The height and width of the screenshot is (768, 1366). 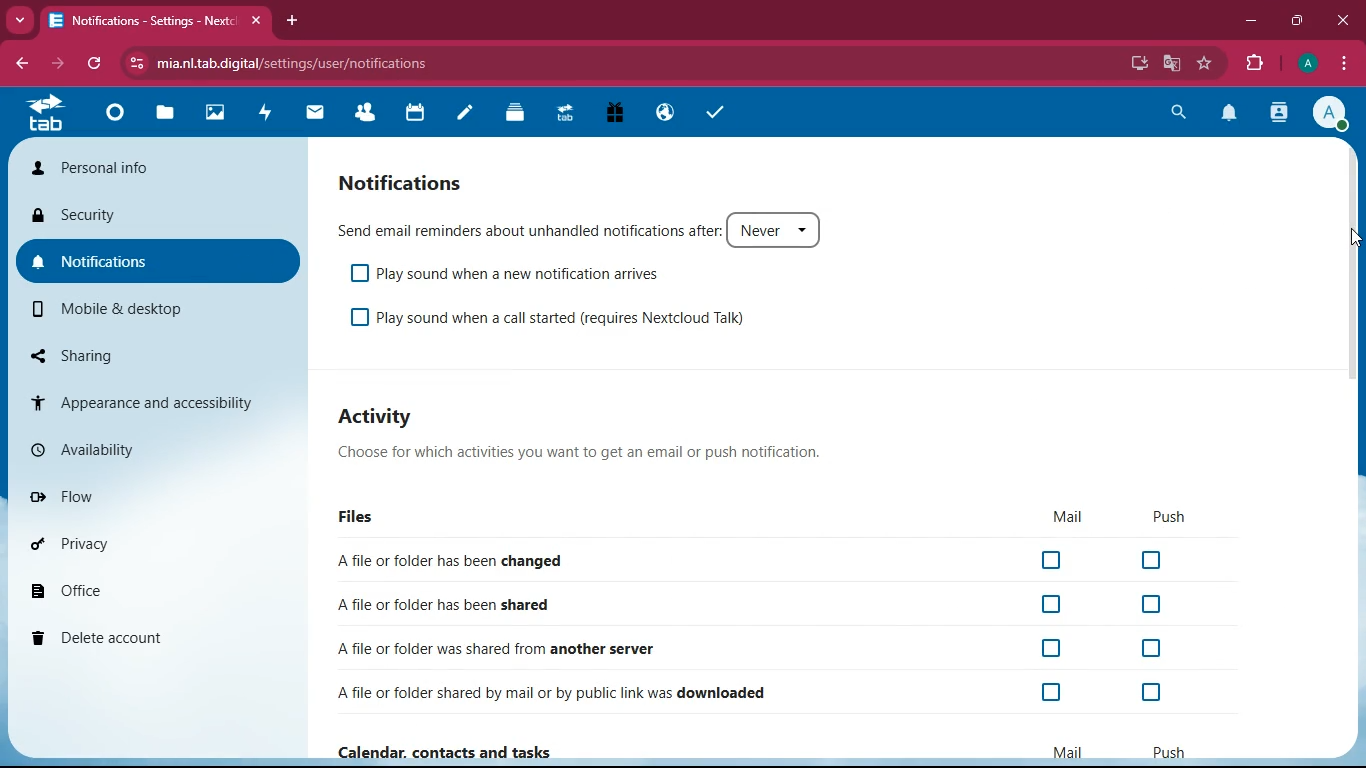 I want to click on activity, so click(x=266, y=115).